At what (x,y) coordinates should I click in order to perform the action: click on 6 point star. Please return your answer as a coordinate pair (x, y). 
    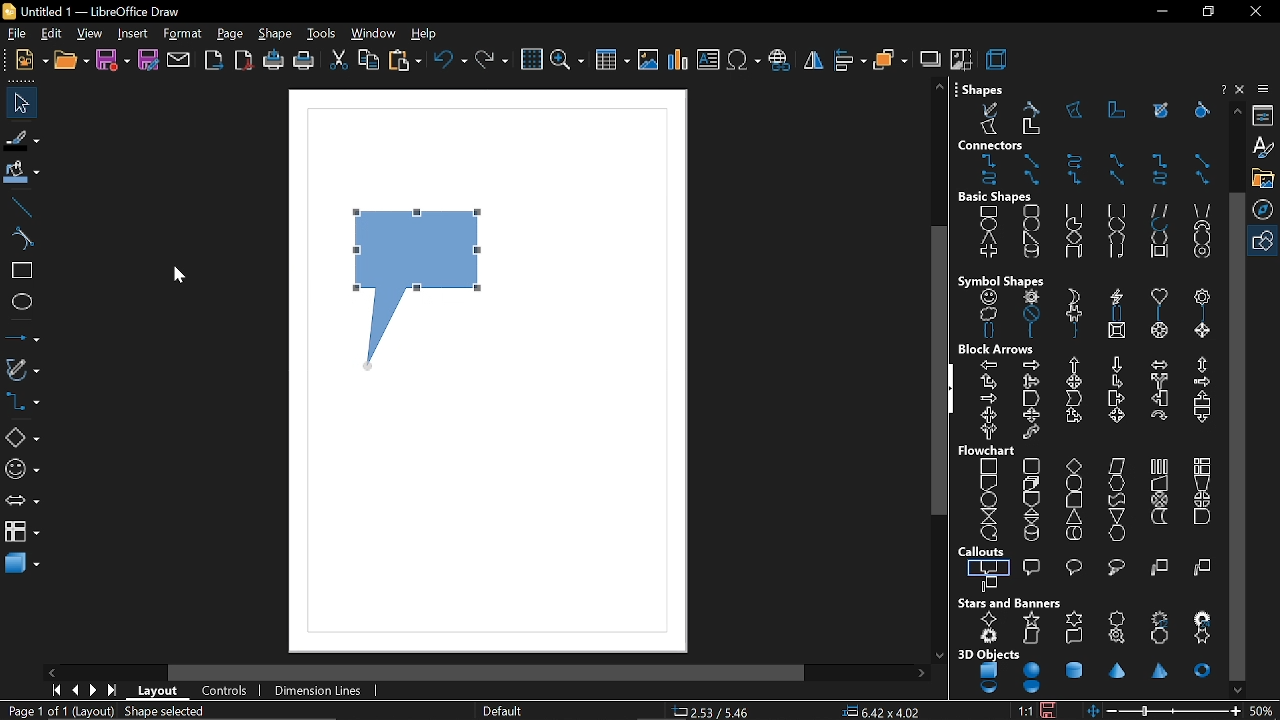
    Looking at the image, I should click on (1073, 619).